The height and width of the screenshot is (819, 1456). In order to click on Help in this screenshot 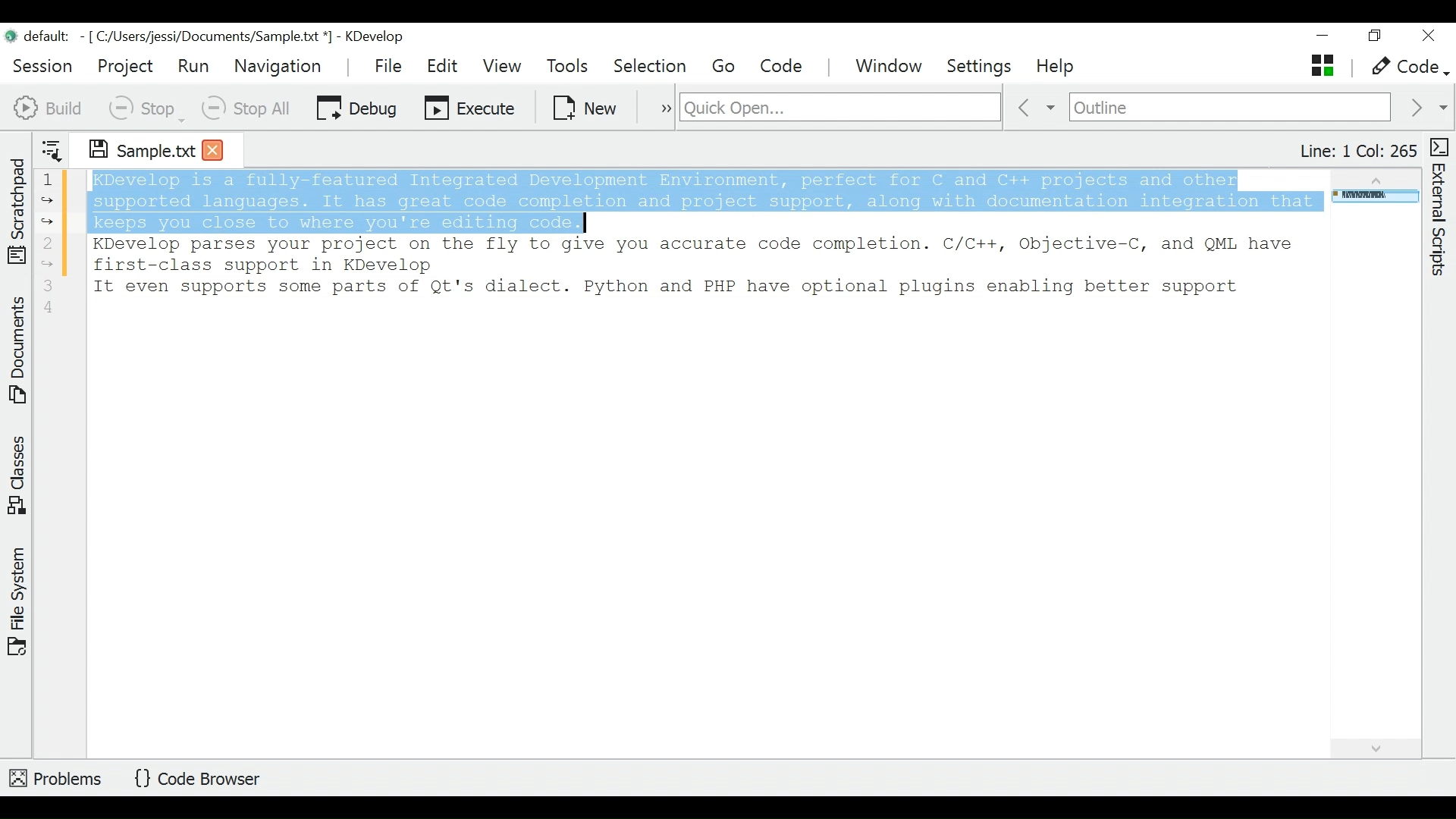, I will do `click(1057, 67)`.